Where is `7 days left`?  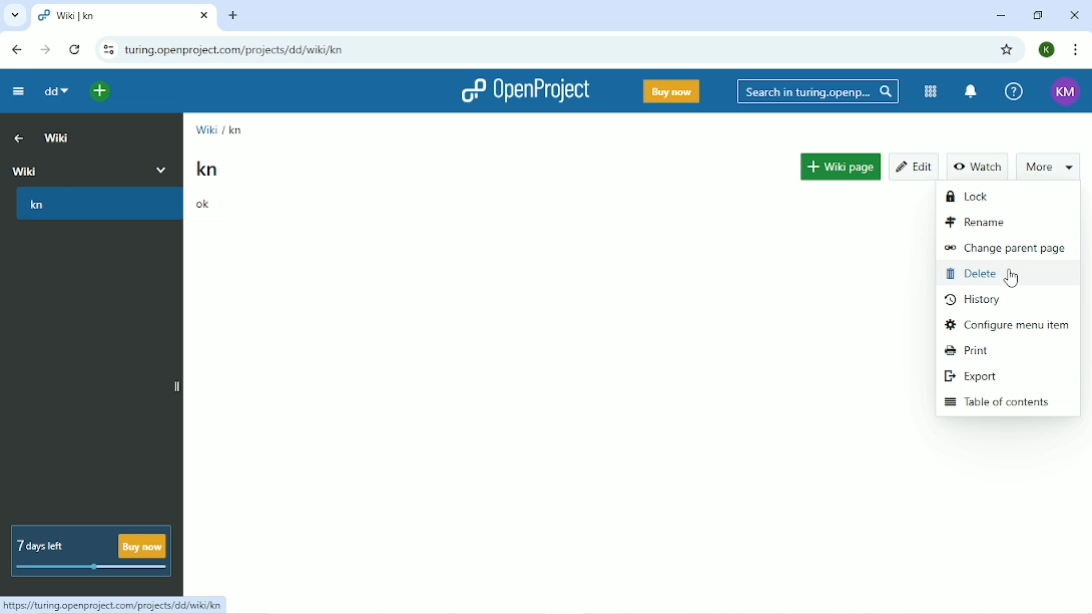 7 days left is located at coordinates (55, 539).